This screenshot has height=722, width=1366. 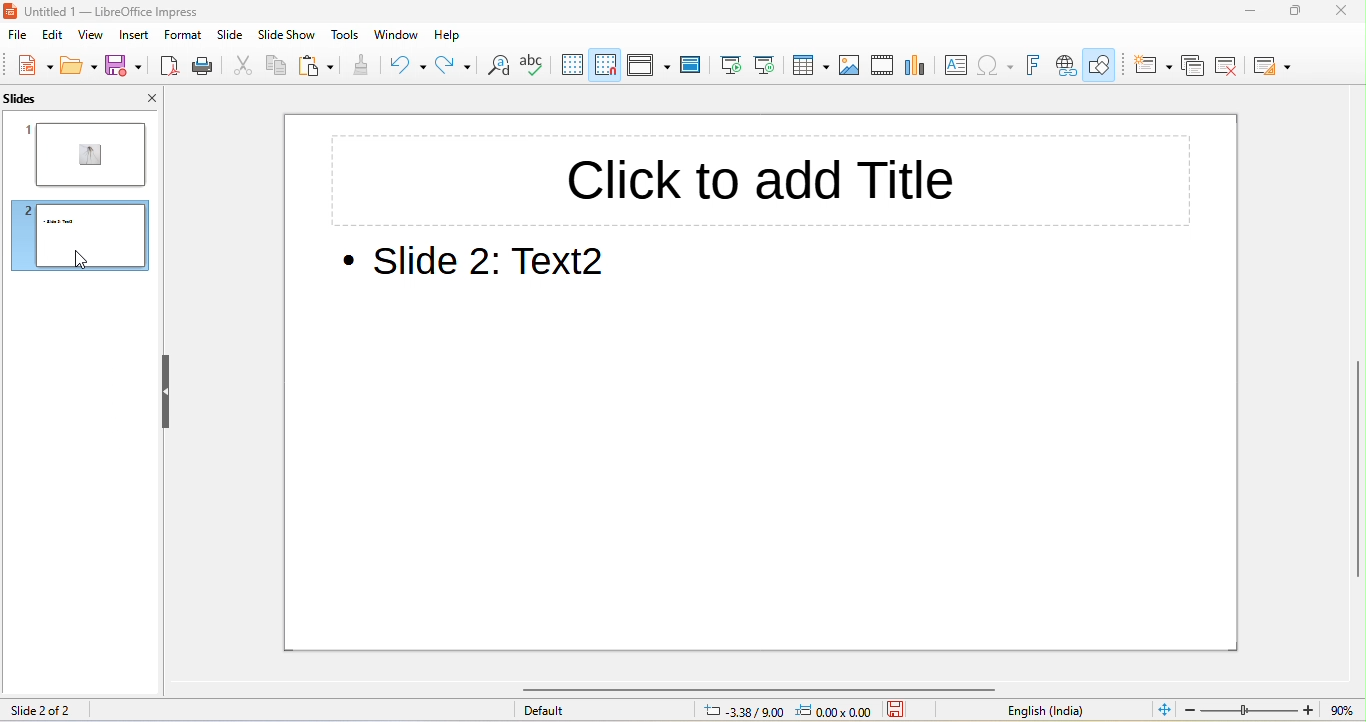 What do you see at coordinates (13, 12) in the screenshot?
I see `logo` at bounding box center [13, 12].